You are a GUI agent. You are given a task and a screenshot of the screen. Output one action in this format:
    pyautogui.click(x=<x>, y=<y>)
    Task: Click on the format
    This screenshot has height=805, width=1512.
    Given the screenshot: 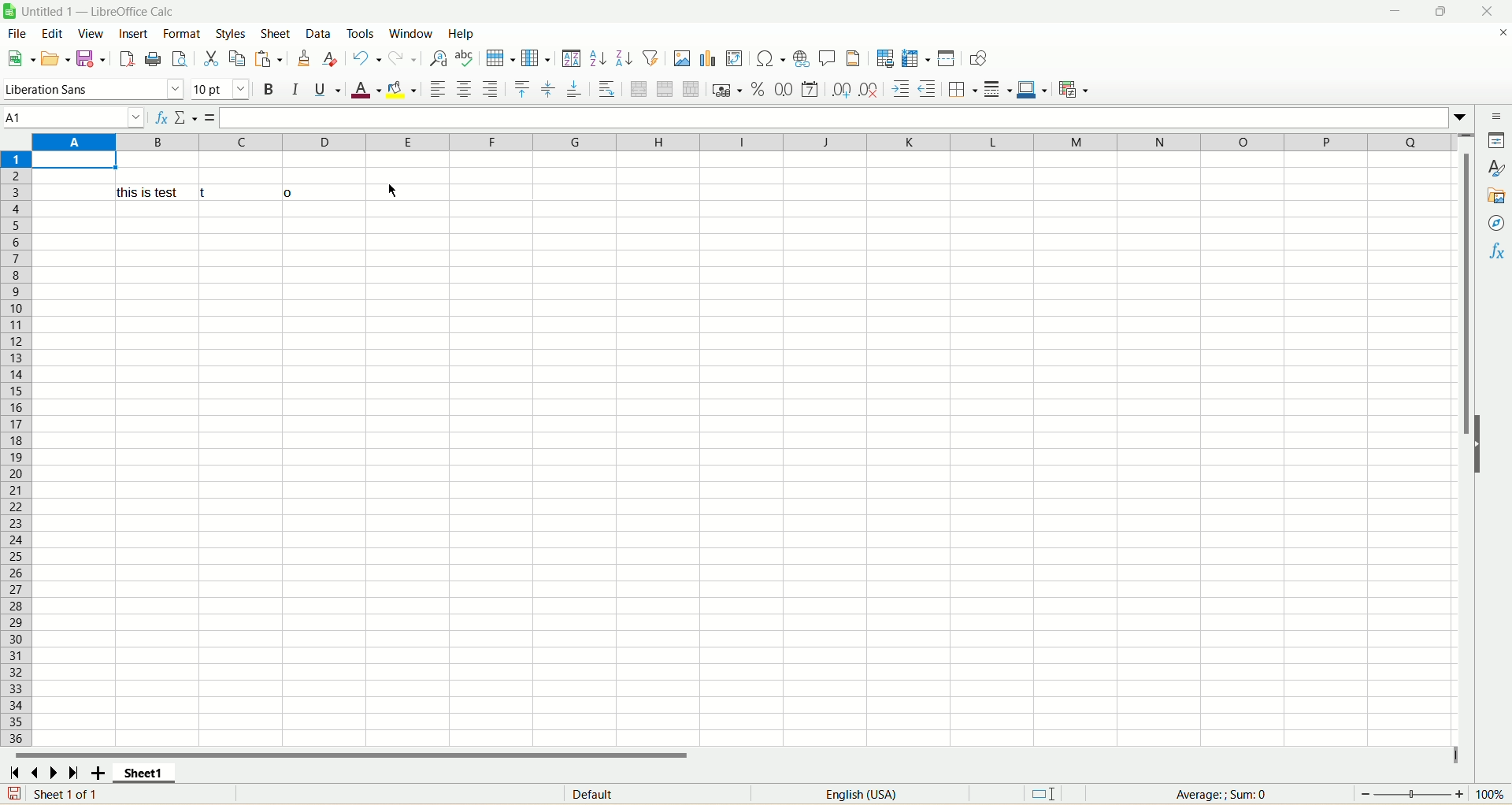 What is the action you would take?
    pyautogui.click(x=181, y=35)
    